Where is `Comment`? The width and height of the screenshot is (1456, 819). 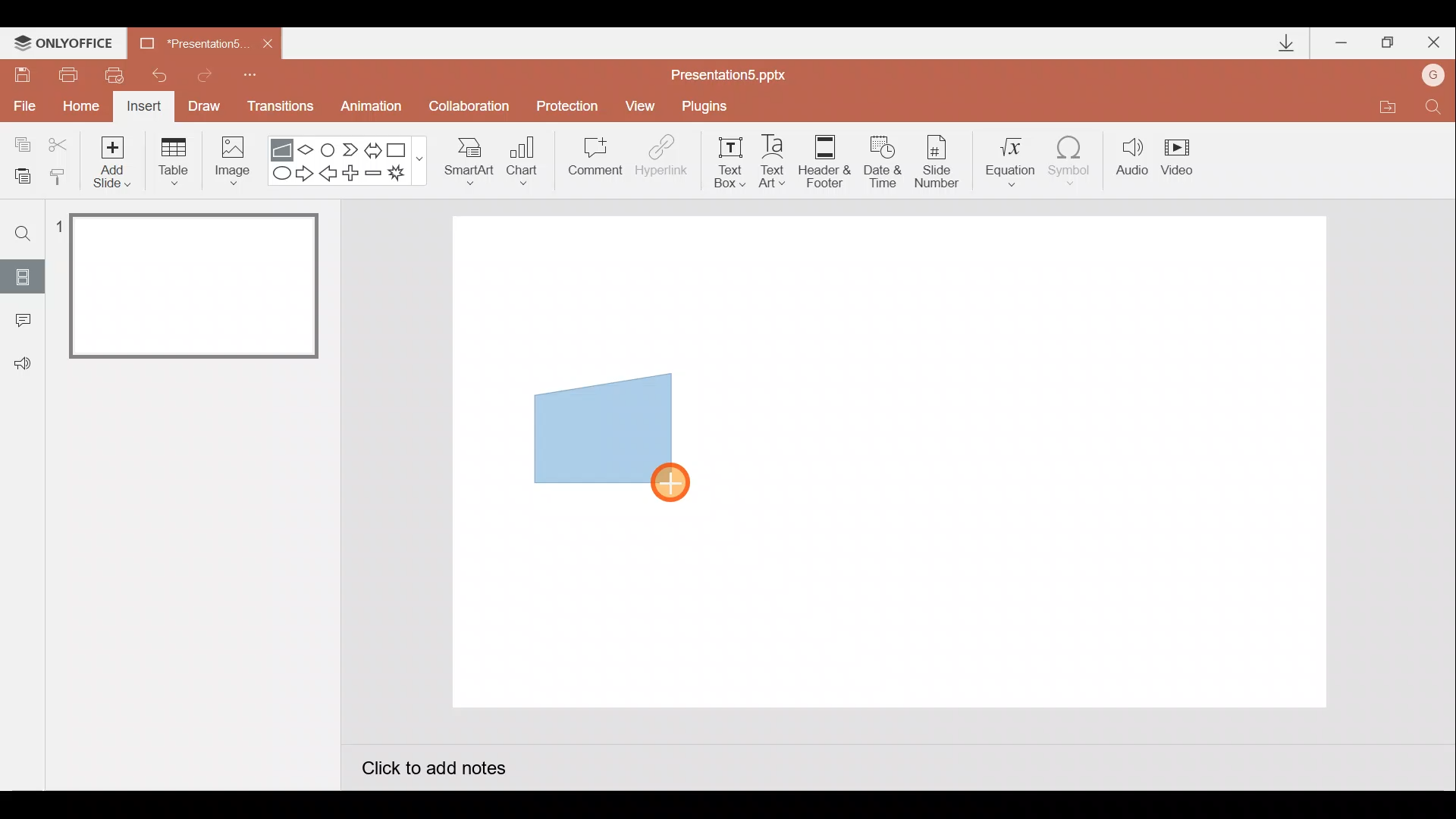
Comment is located at coordinates (593, 162).